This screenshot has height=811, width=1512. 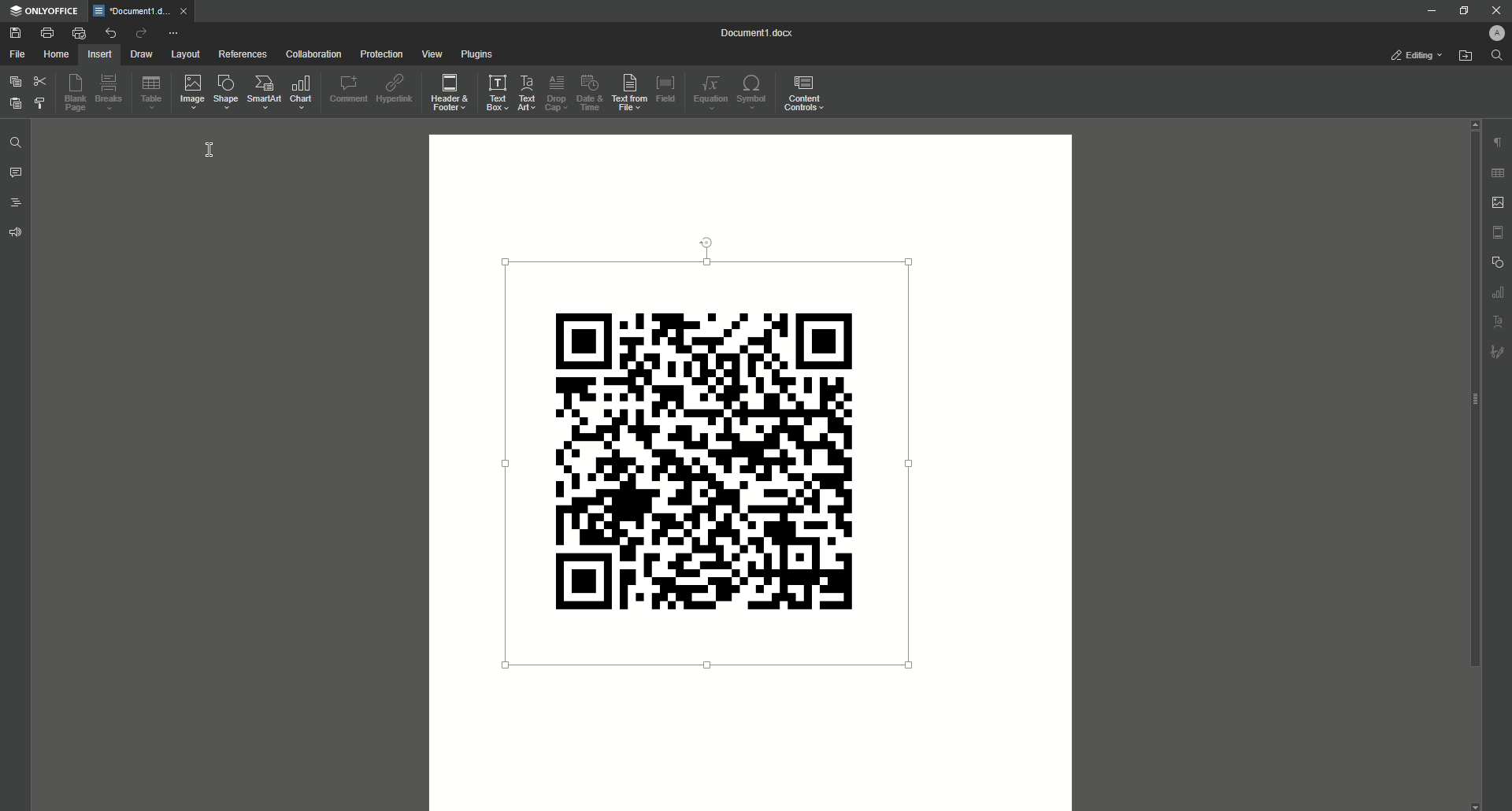 What do you see at coordinates (628, 92) in the screenshot?
I see `Text From File` at bounding box center [628, 92].